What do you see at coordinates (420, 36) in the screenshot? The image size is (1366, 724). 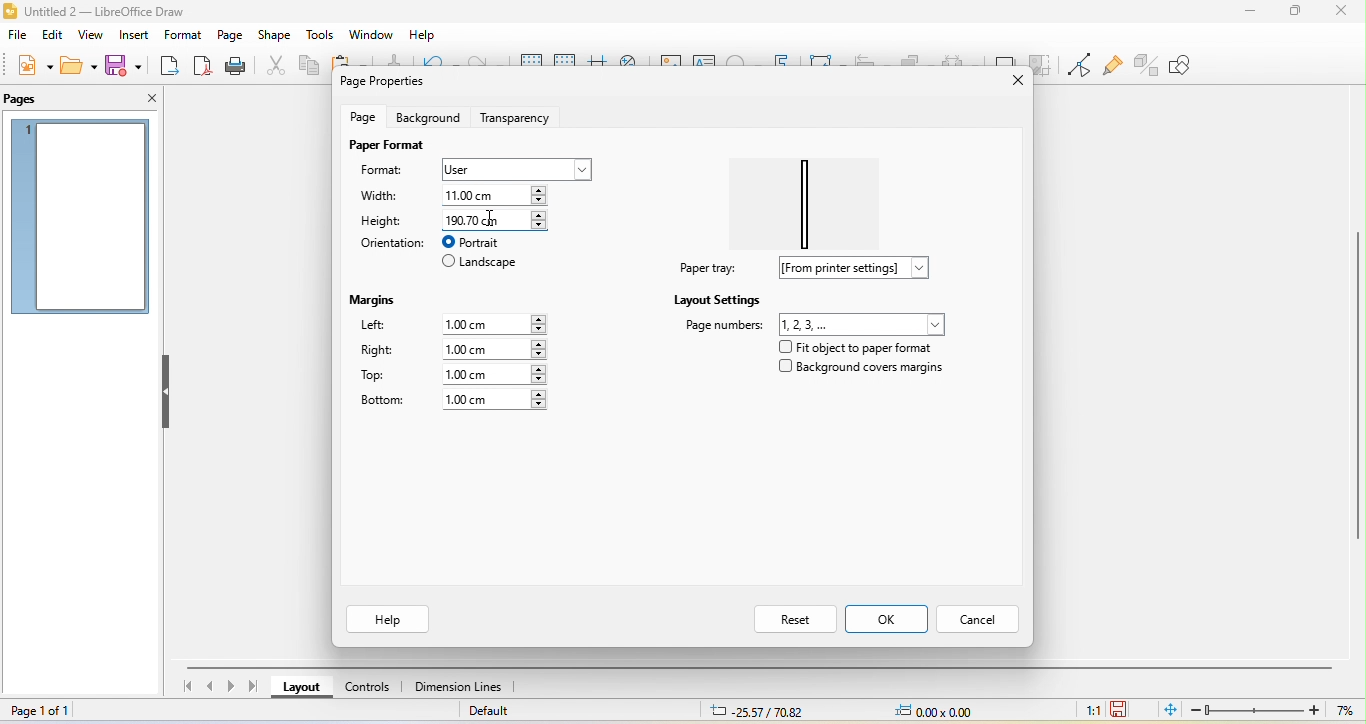 I see `help` at bounding box center [420, 36].